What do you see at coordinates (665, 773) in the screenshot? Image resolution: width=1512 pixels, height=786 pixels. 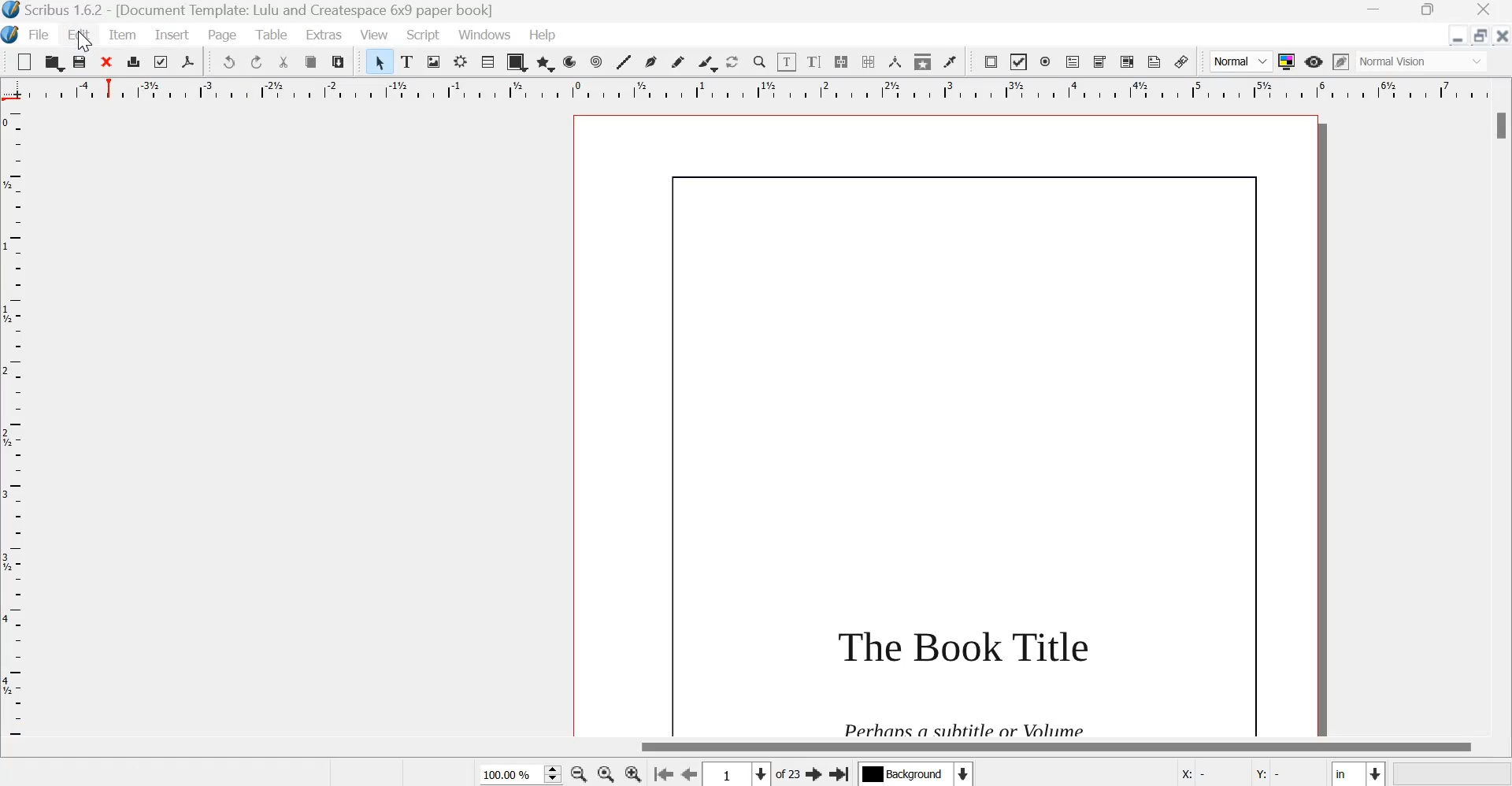 I see `go to the first page` at bounding box center [665, 773].